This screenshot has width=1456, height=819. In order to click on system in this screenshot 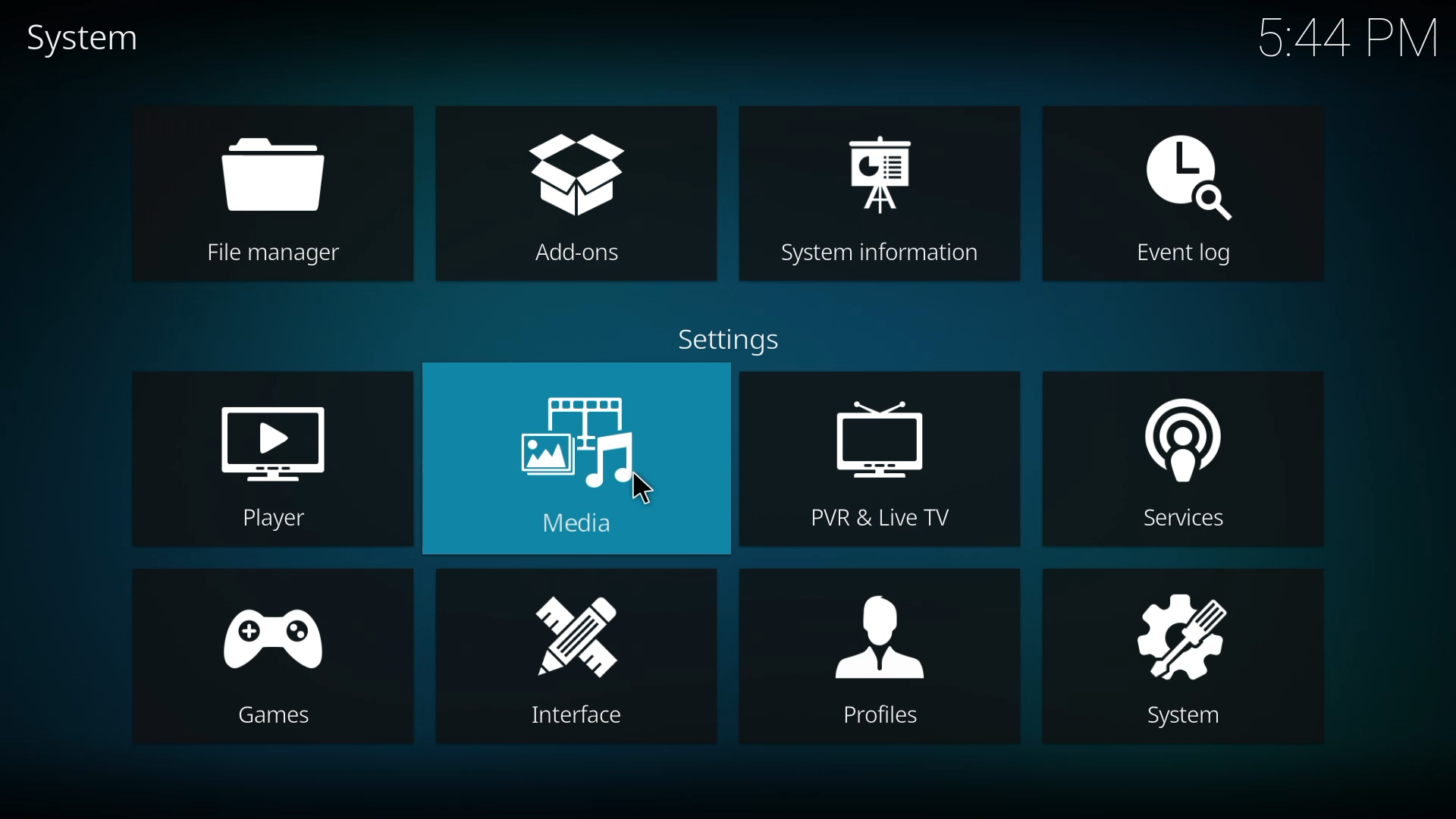, I will do `click(1178, 634)`.